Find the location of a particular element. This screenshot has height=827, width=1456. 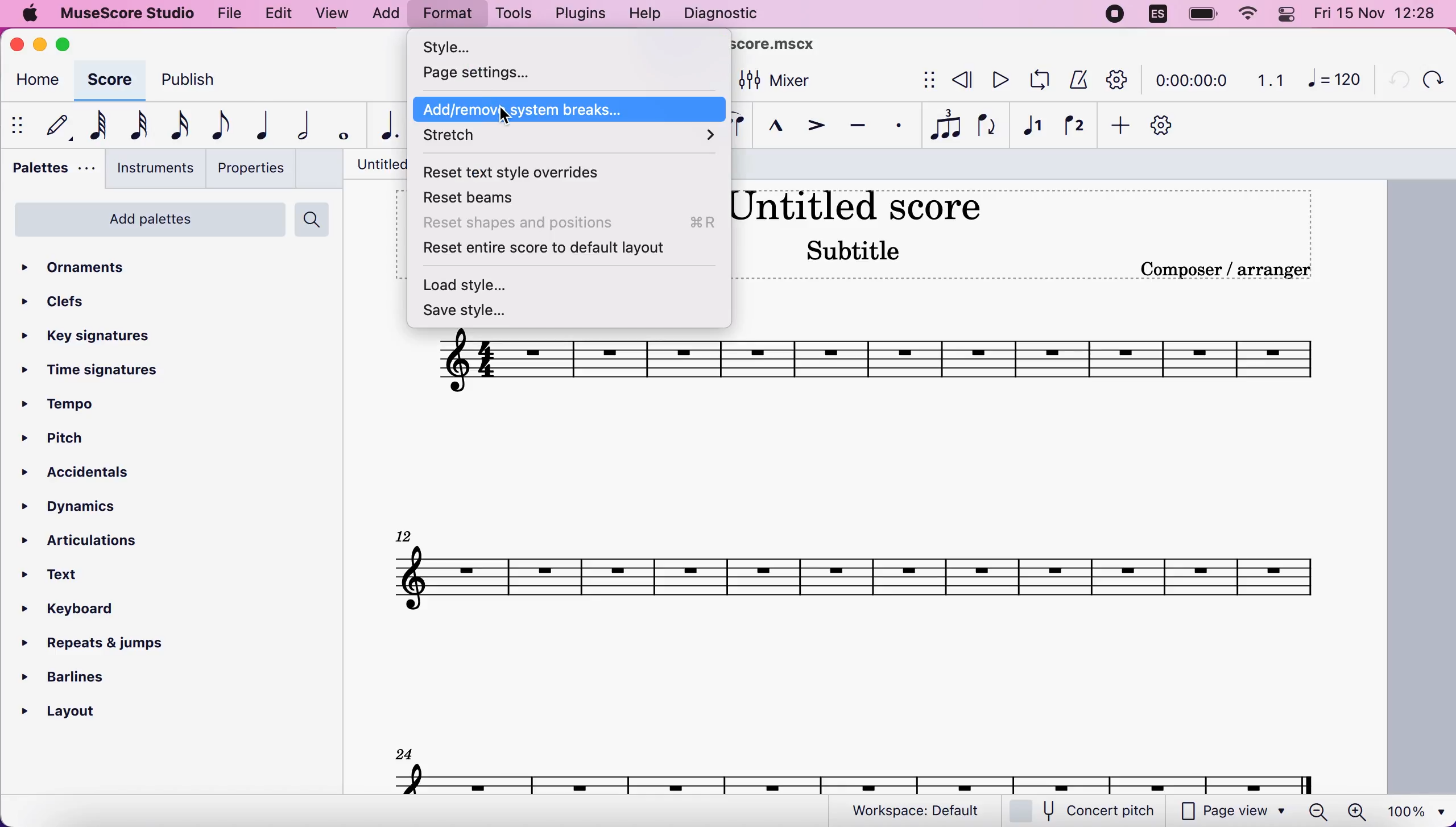

key signature is located at coordinates (99, 337).